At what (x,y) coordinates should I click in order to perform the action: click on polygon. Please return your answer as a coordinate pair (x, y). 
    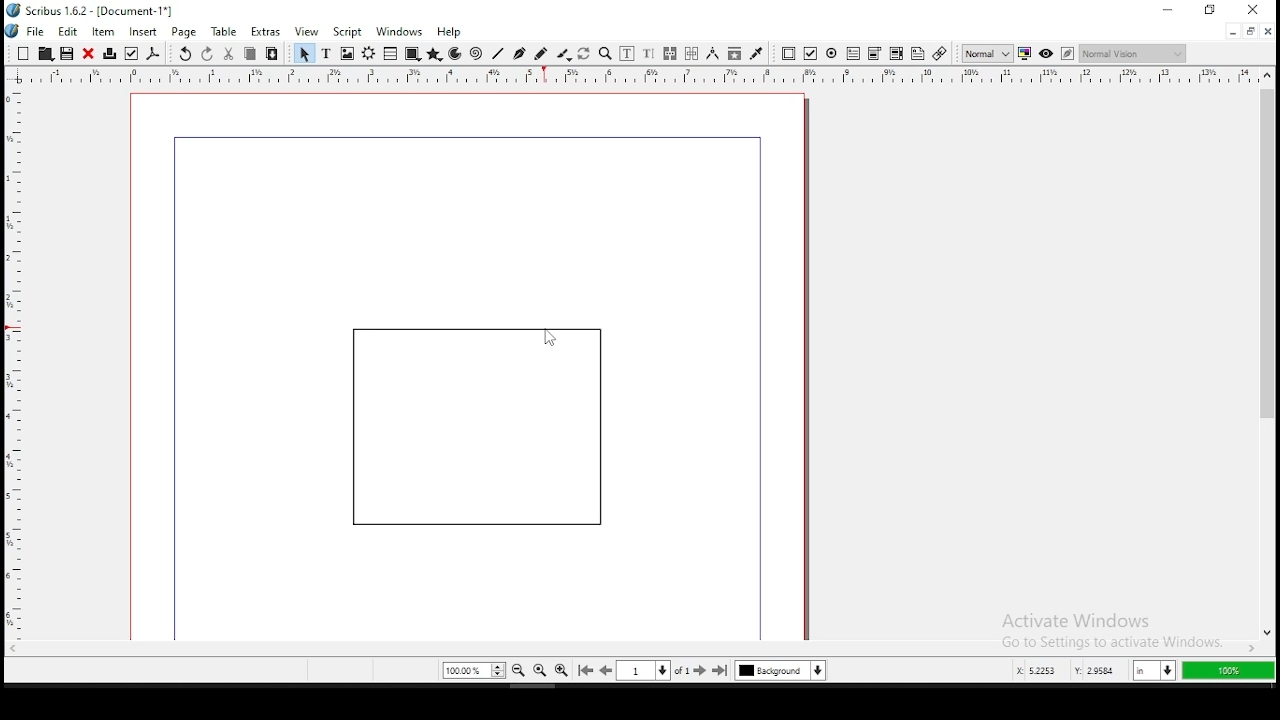
    Looking at the image, I should click on (435, 54).